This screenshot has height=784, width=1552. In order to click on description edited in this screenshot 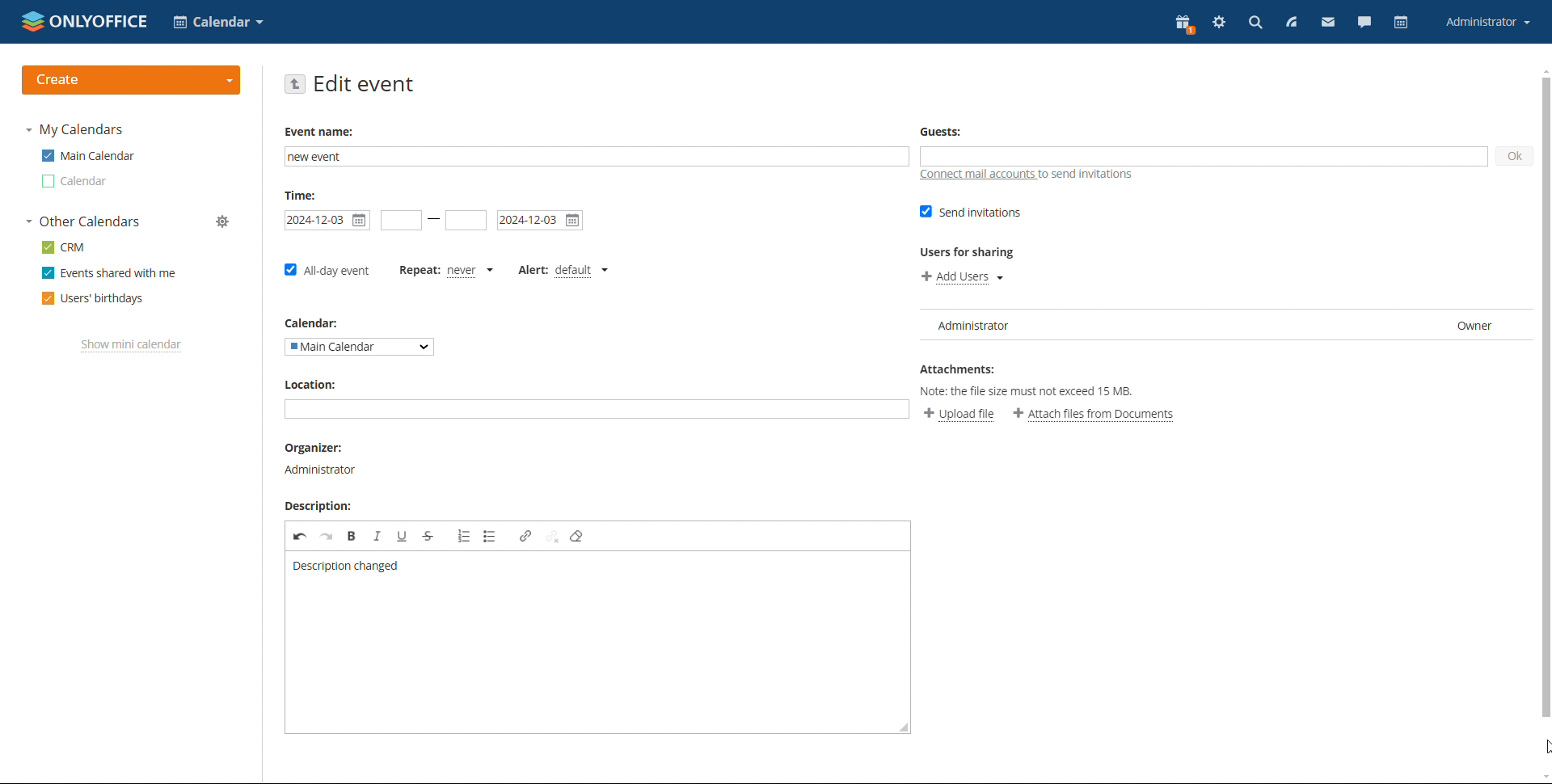, I will do `click(348, 566)`.